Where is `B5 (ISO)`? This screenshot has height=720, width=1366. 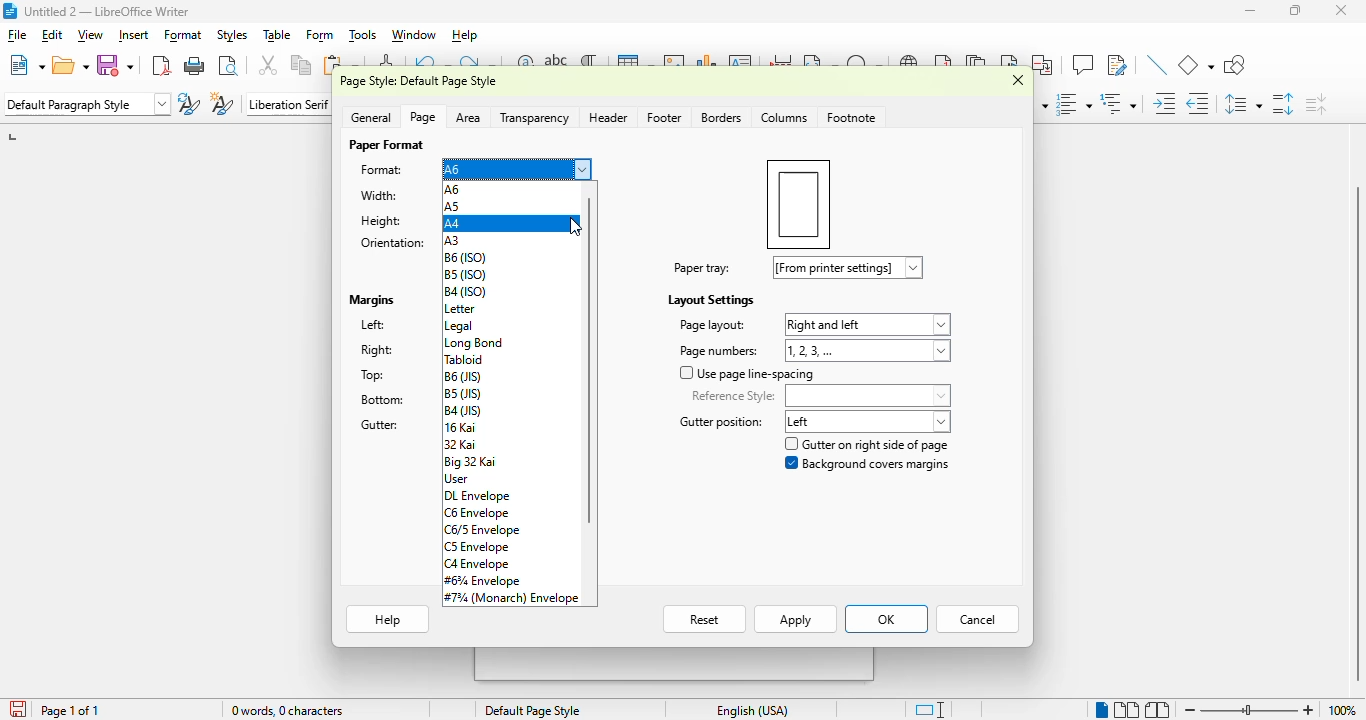
B5 (ISO) is located at coordinates (466, 275).